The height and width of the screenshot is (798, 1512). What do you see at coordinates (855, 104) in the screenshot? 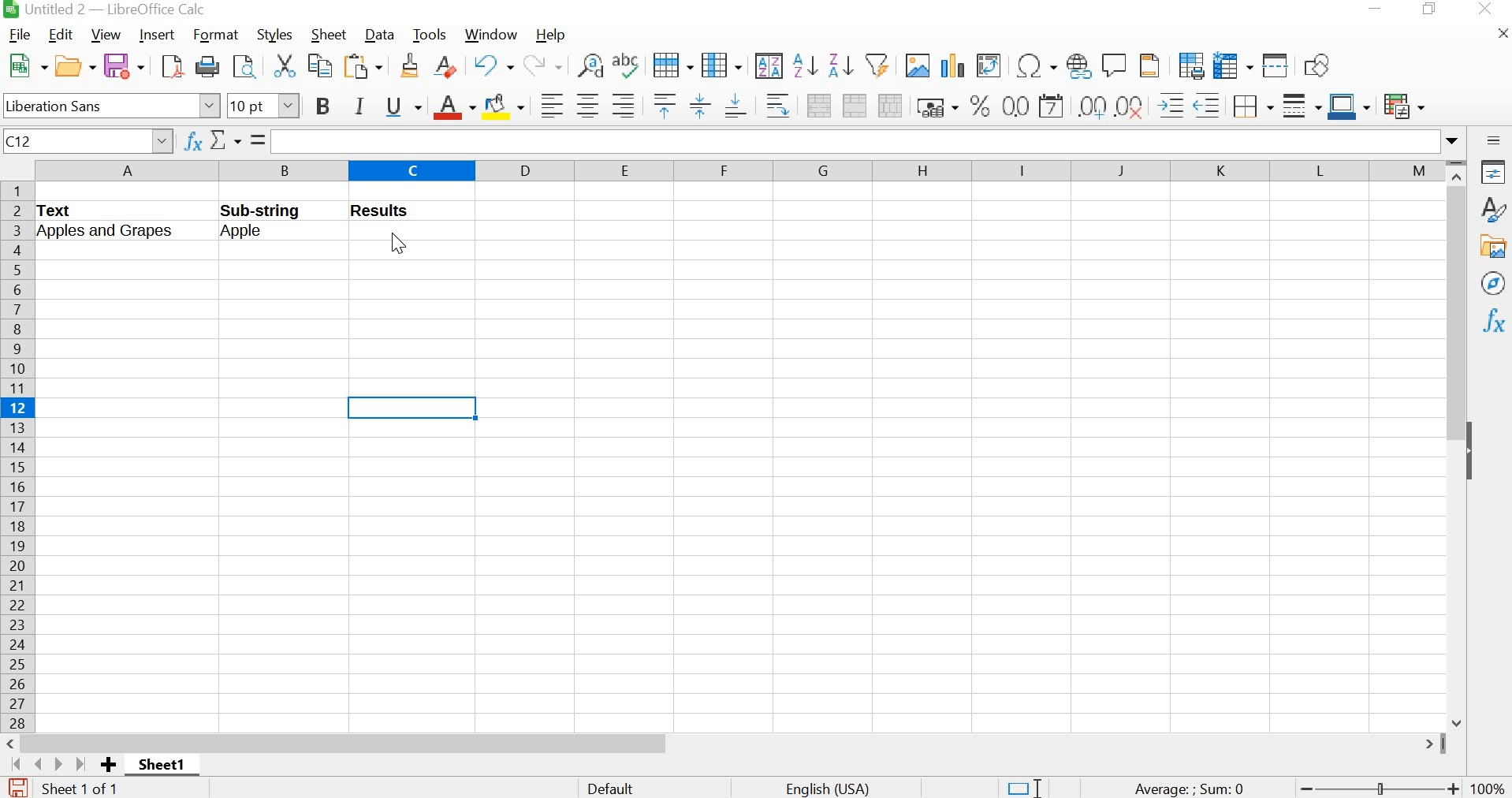
I see `merge cells` at bounding box center [855, 104].